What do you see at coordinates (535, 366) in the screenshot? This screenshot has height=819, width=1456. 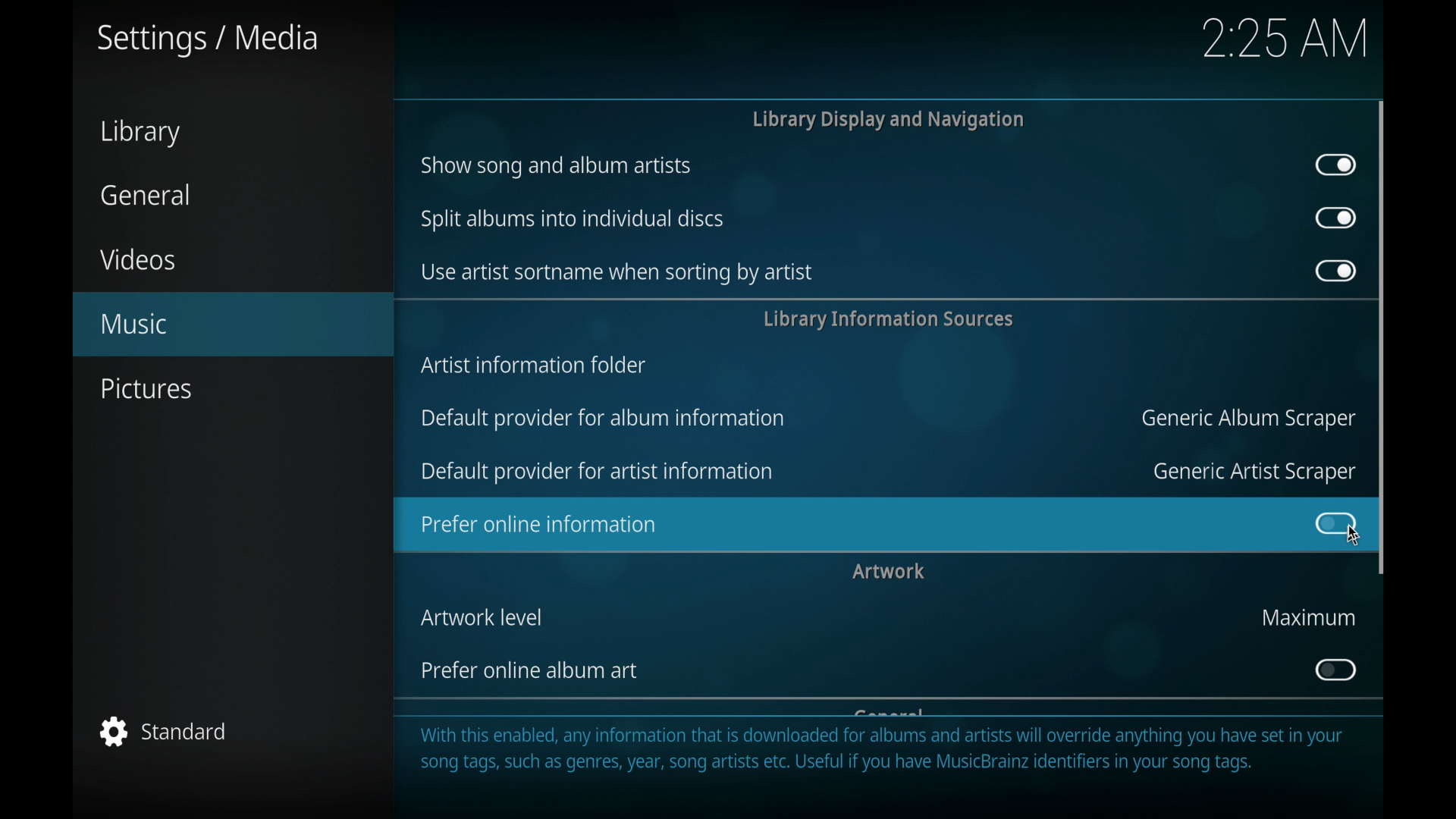 I see `artist information folder` at bounding box center [535, 366].